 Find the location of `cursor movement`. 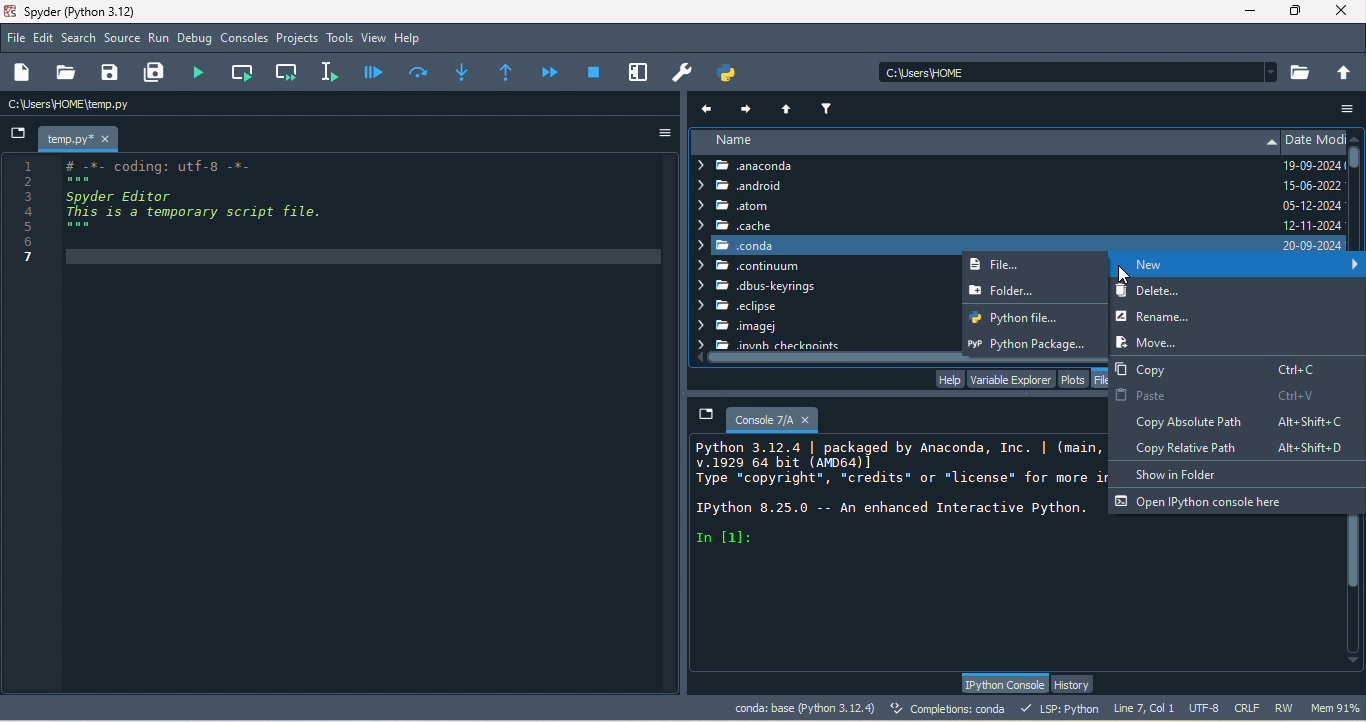

cursor movement is located at coordinates (1126, 277).